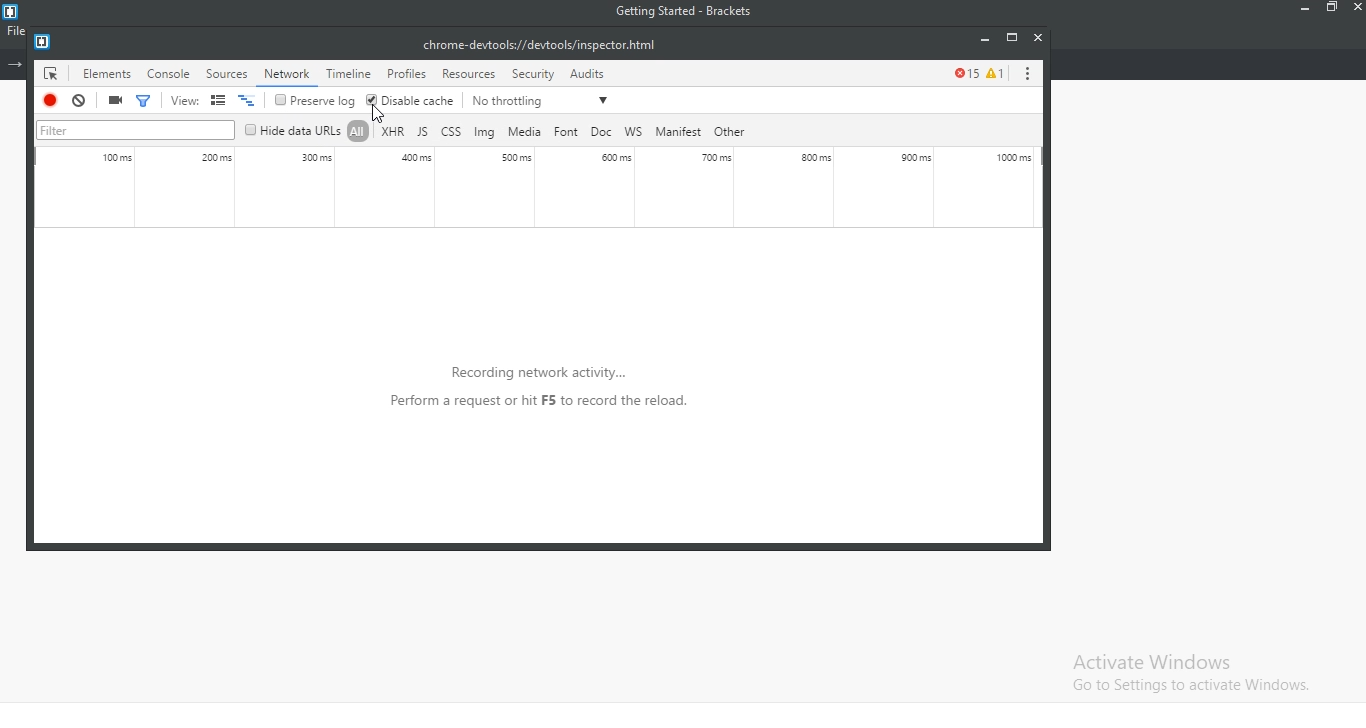 This screenshot has width=1366, height=728. Describe the element at coordinates (591, 72) in the screenshot. I see `audits` at that location.